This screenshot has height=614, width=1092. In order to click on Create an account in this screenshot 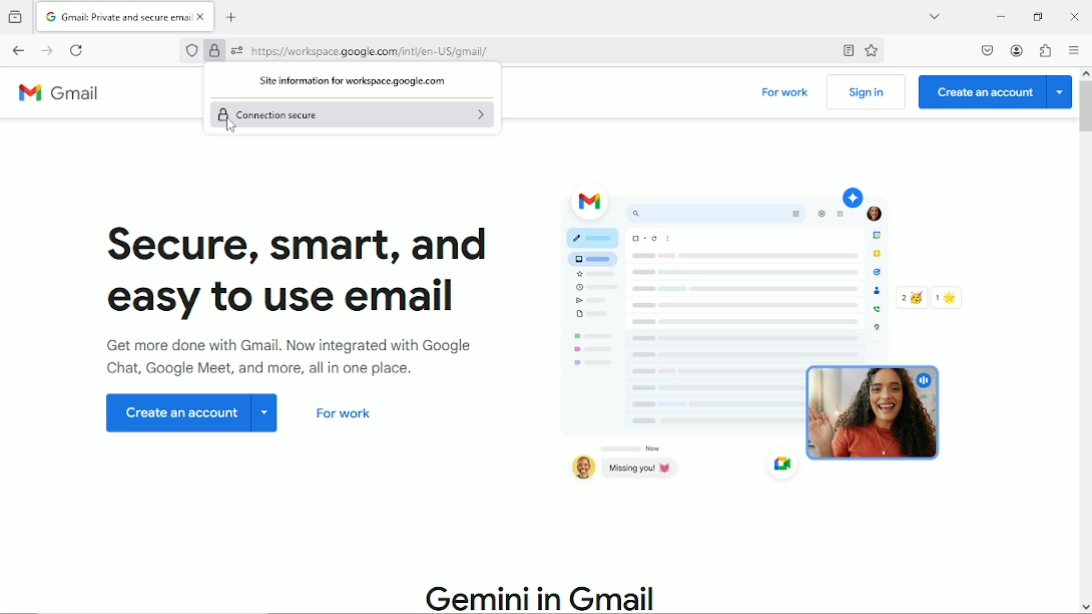, I will do `click(995, 93)`.